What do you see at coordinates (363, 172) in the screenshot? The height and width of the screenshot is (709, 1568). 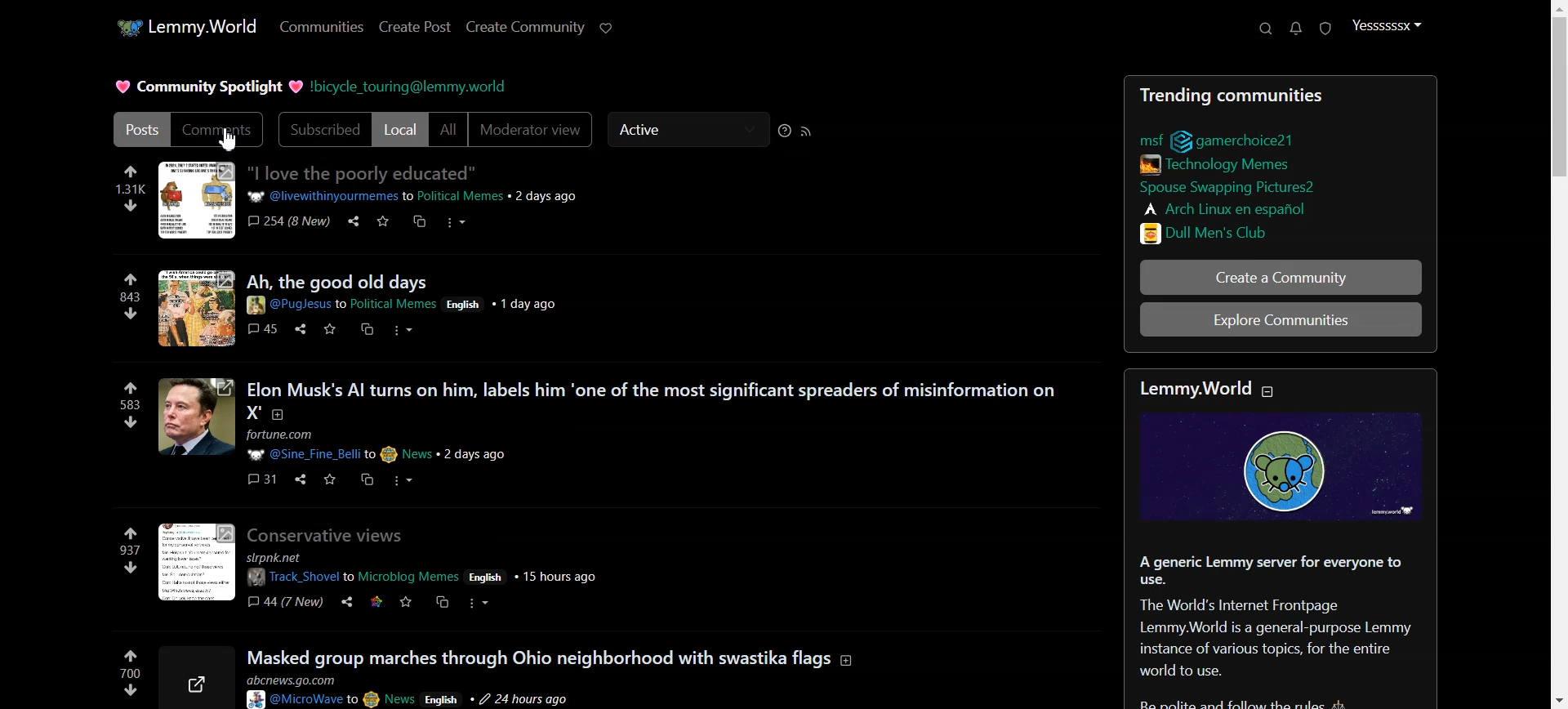 I see `Posts` at bounding box center [363, 172].